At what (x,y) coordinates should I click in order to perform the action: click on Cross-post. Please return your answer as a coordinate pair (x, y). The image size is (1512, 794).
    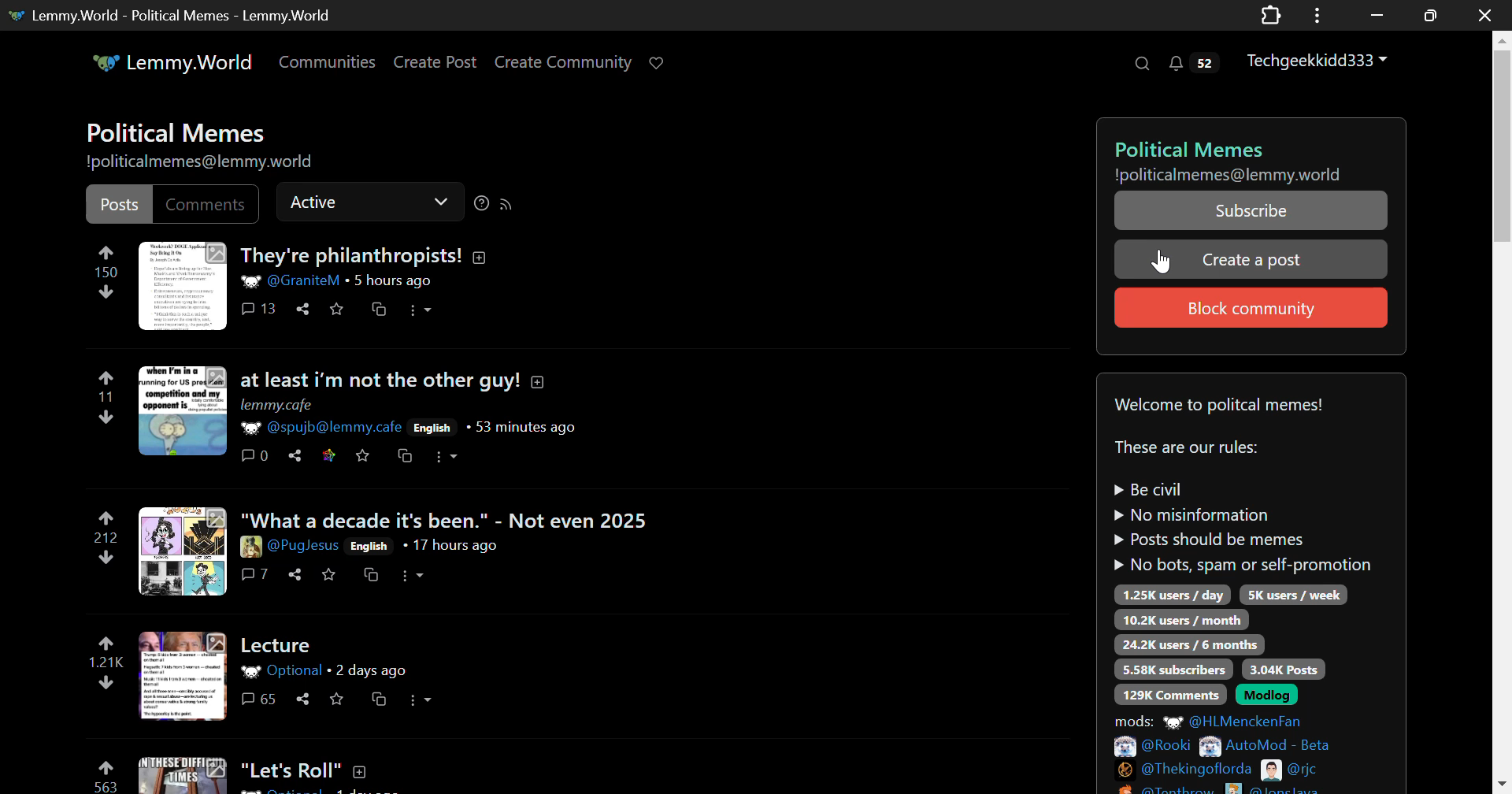
    Looking at the image, I should click on (380, 700).